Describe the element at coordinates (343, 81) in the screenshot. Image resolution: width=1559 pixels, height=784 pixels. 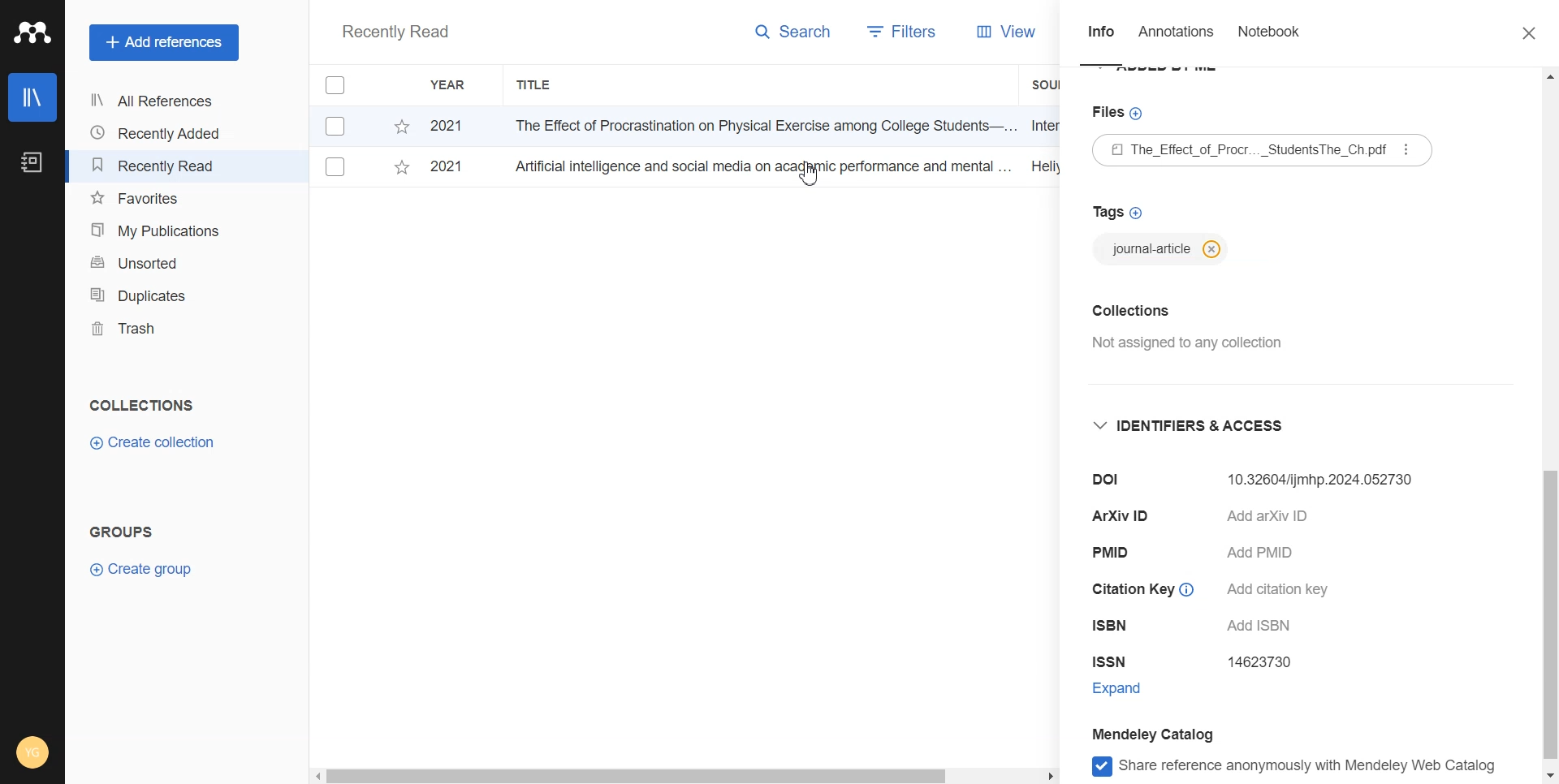
I see `Checkbox` at that location.